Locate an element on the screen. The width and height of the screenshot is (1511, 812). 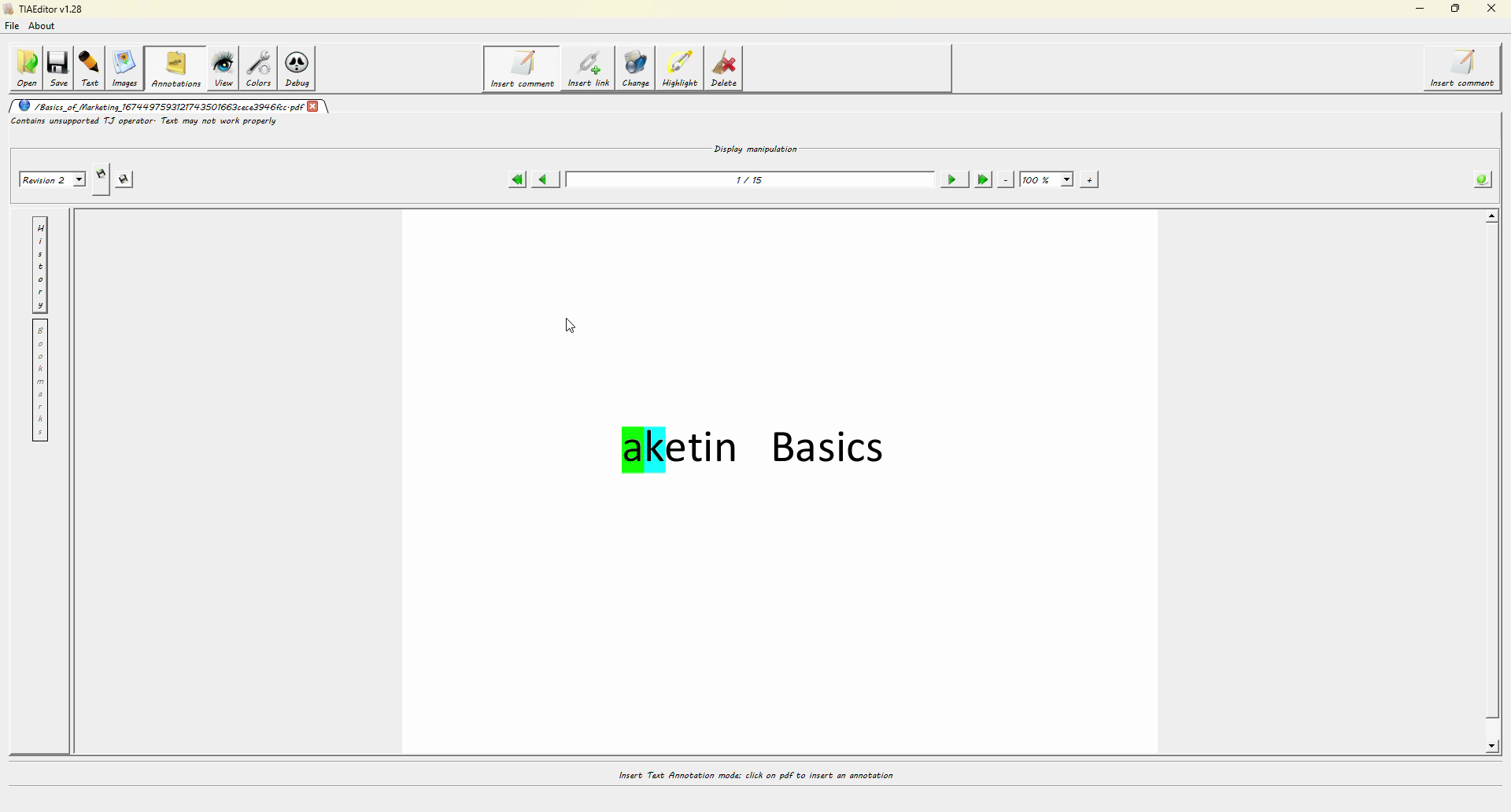
scroll bar is located at coordinates (1494, 489).